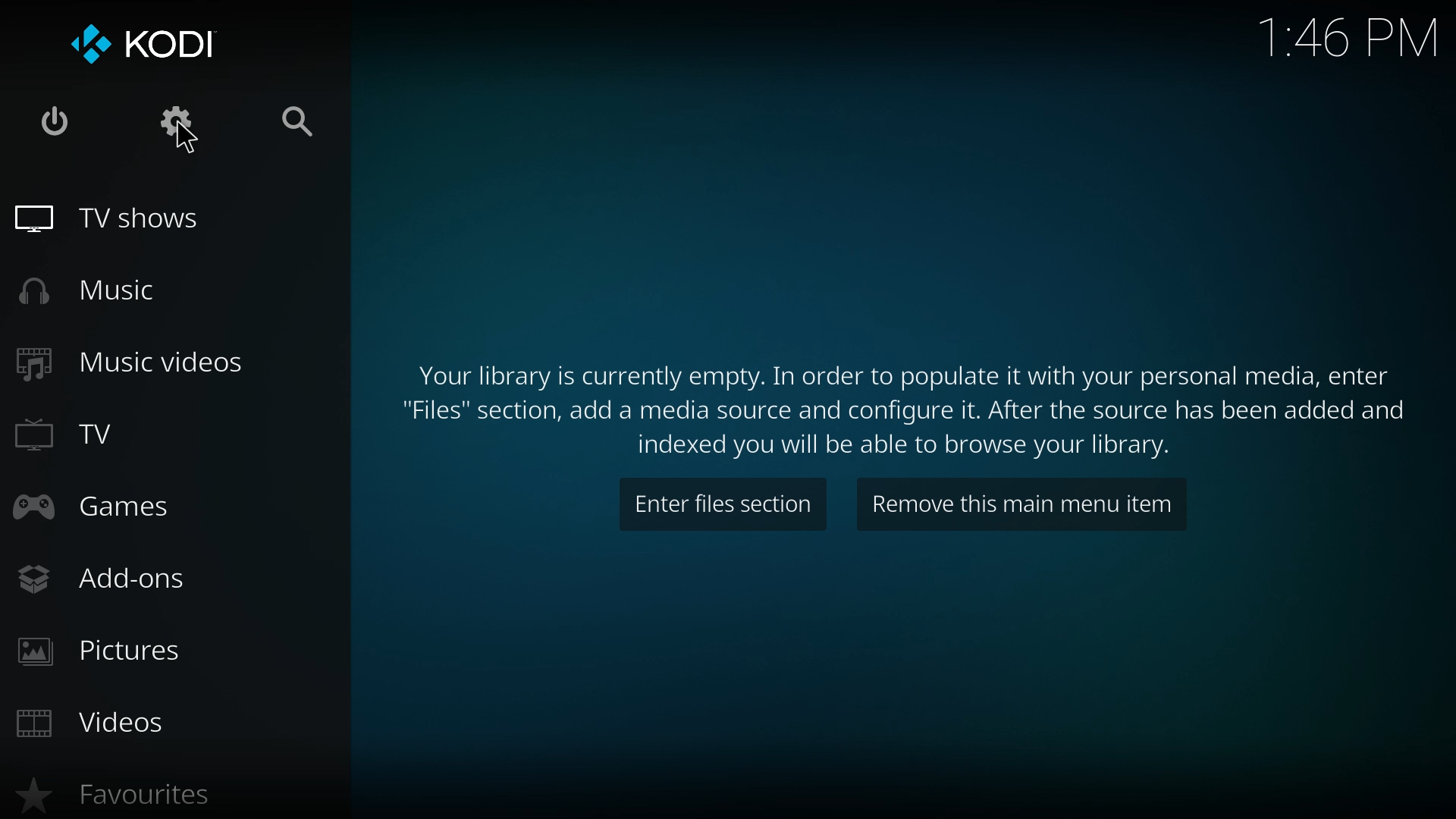 This screenshot has width=1456, height=819. I want to click on kodi, so click(143, 43).